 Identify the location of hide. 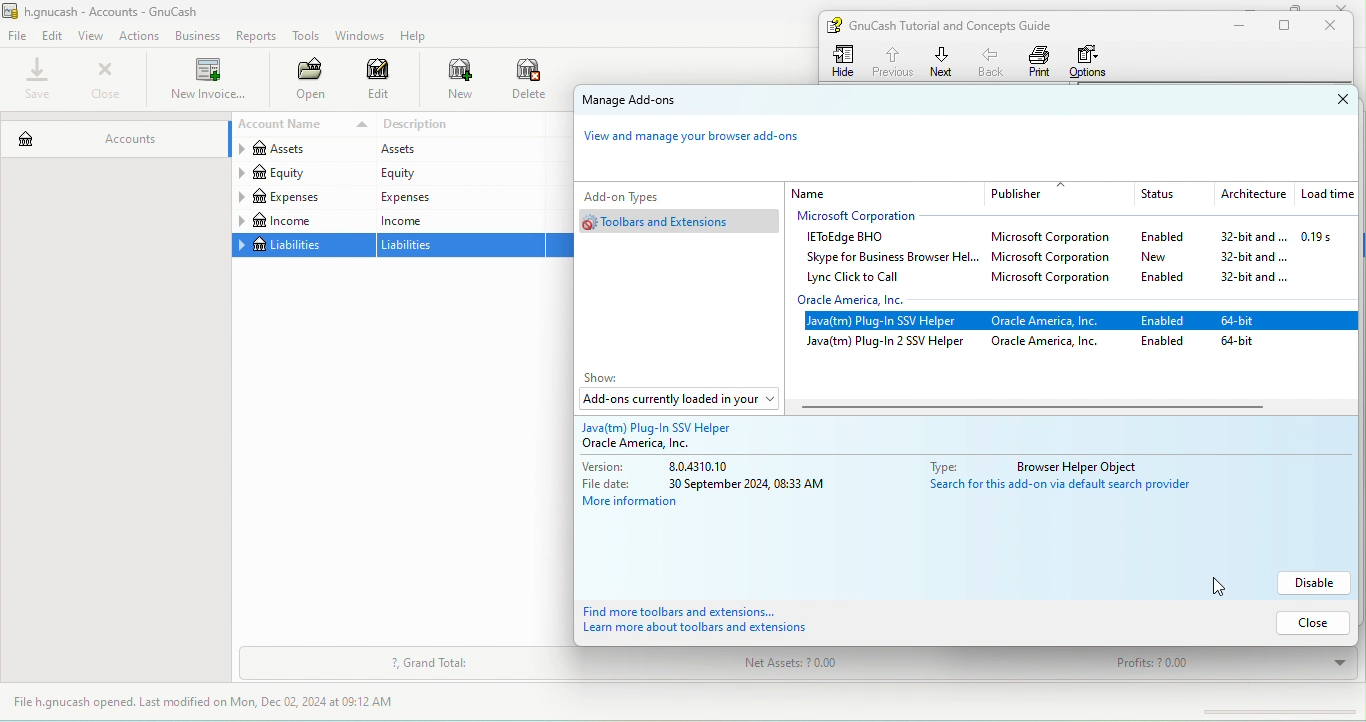
(846, 61).